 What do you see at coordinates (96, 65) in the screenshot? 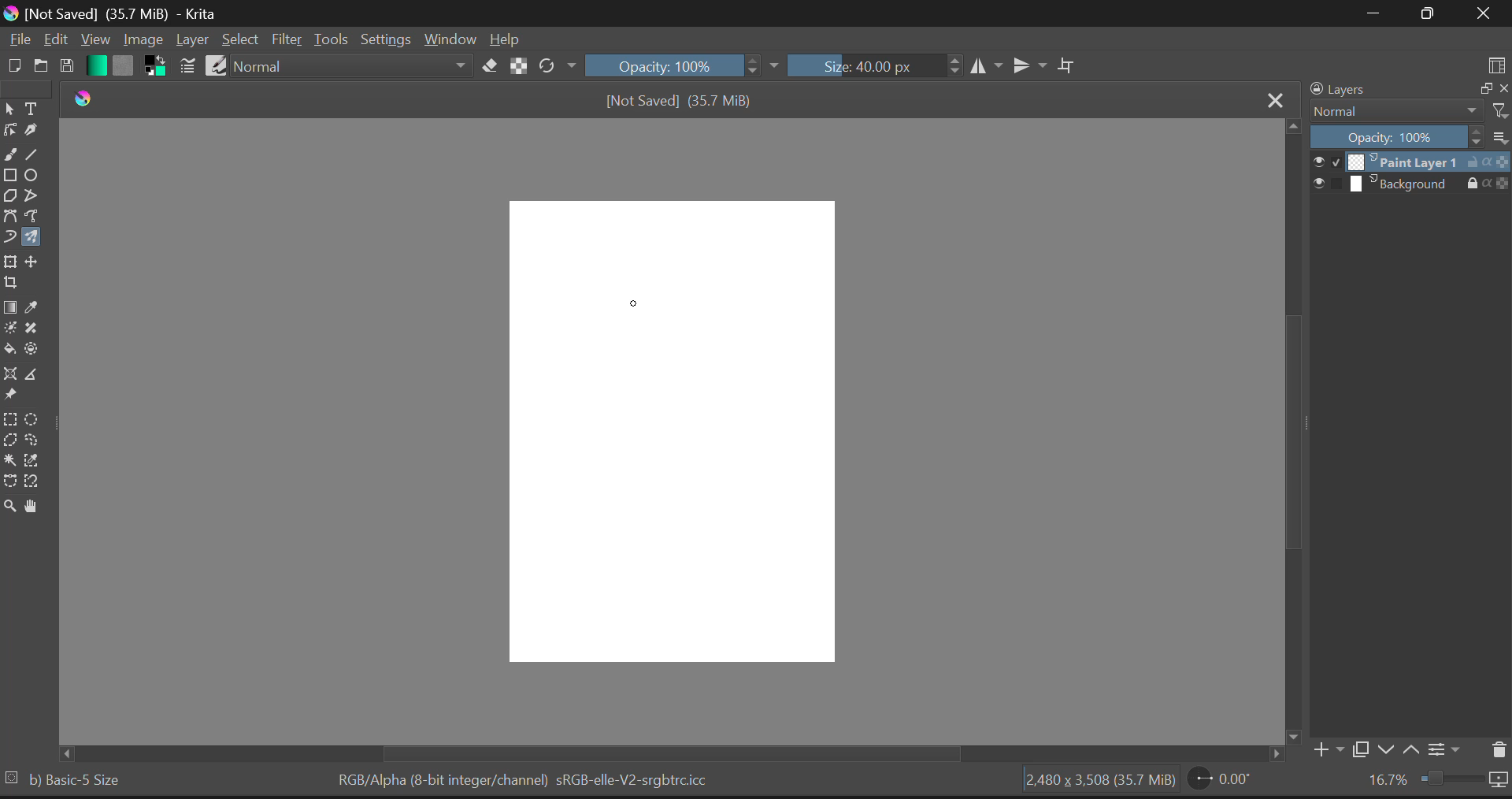
I see `Gradient` at bounding box center [96, 65].